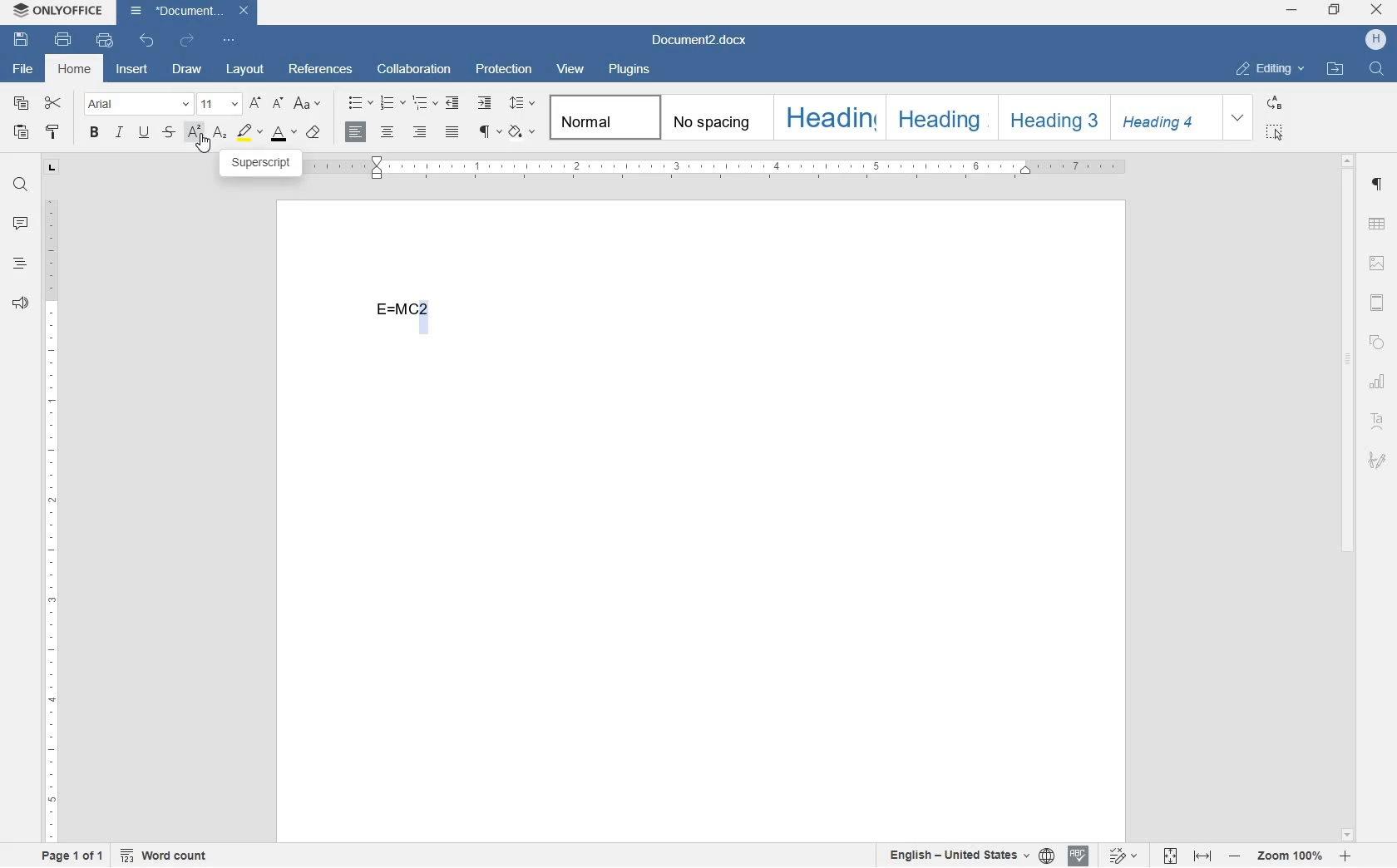  What do you see at coordinates (426, 103) in the screenshot?
I see `multilevel list` at bounding box center [426, 103].